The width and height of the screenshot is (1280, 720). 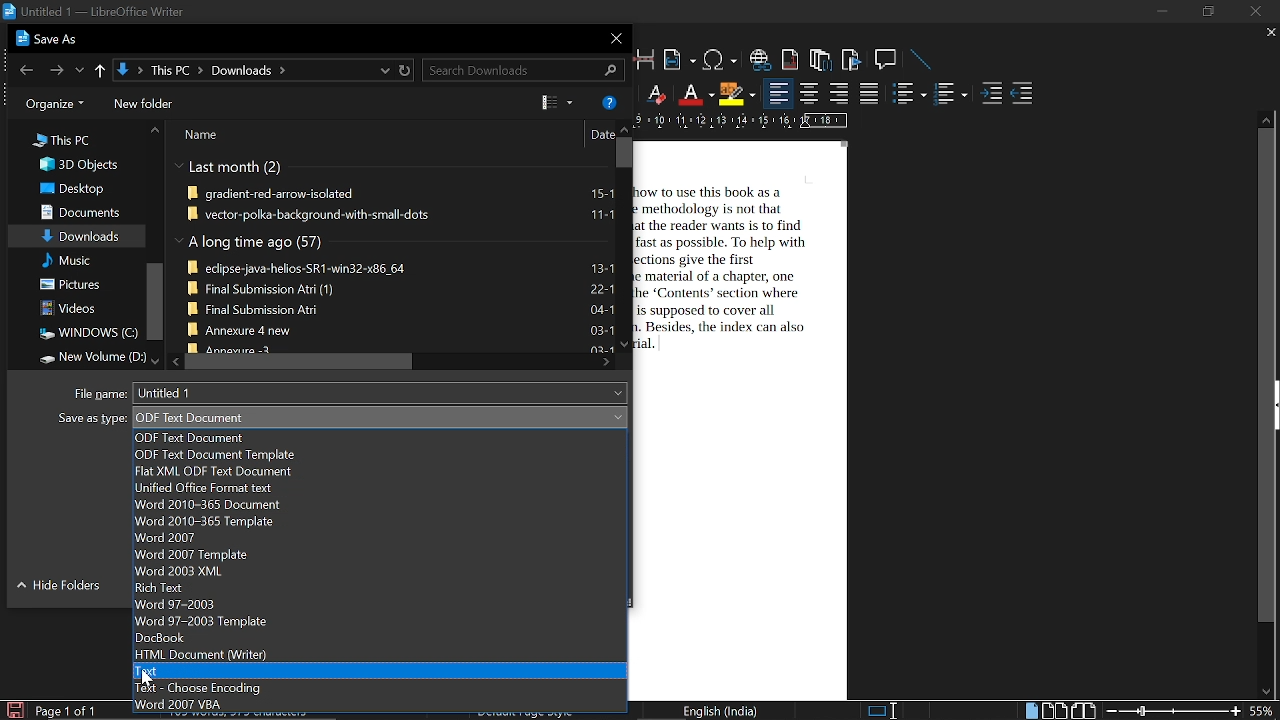 What do you see at coordinates (1022, 94) in the screenshot?
I see `decrease indent` at bounding box center [1022, 94].